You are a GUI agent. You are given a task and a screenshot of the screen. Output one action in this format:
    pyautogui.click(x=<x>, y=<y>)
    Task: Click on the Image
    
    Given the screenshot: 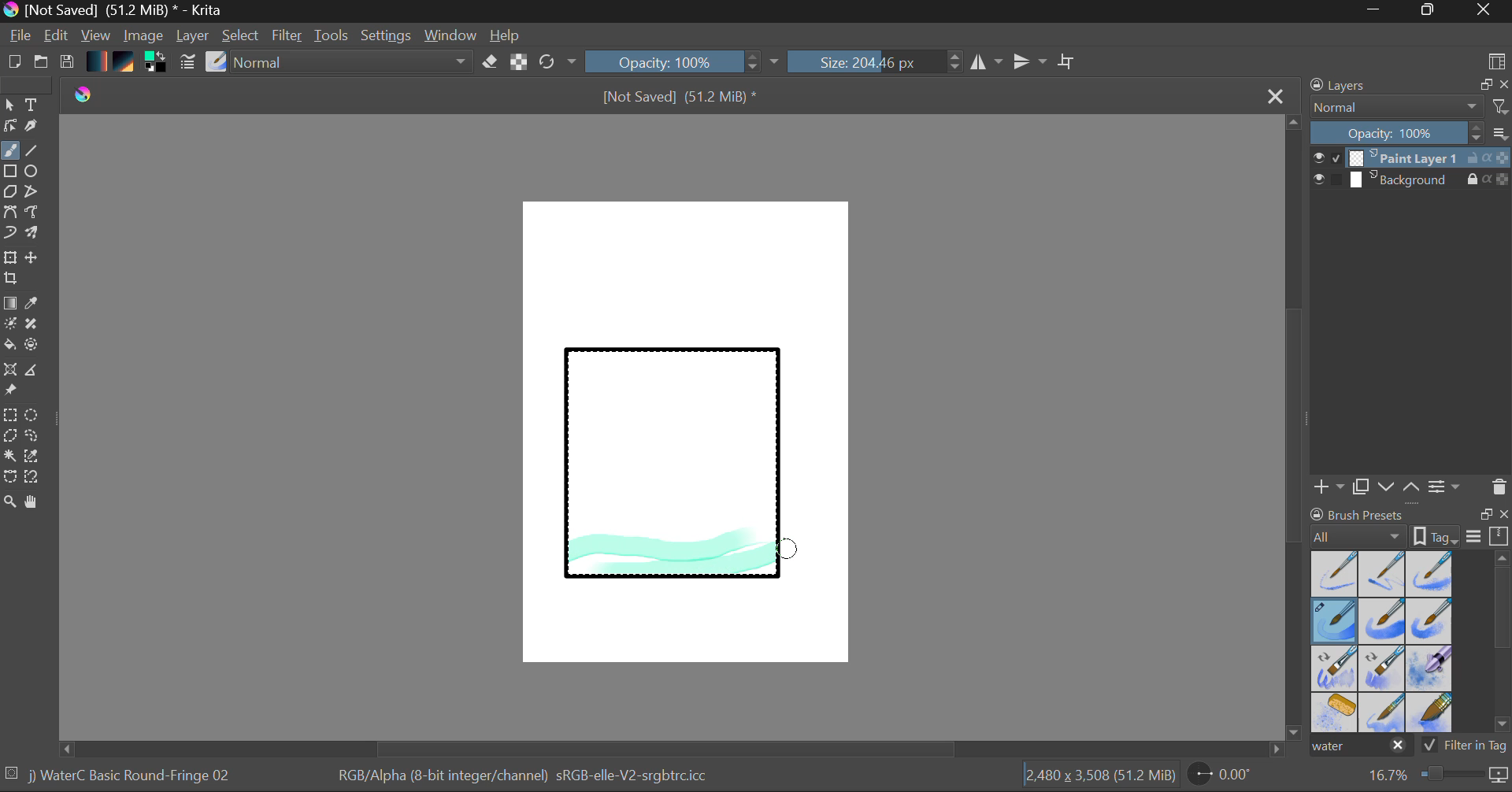 What is the action you would take?
    pyautogui.click(x=145, y=37)
    